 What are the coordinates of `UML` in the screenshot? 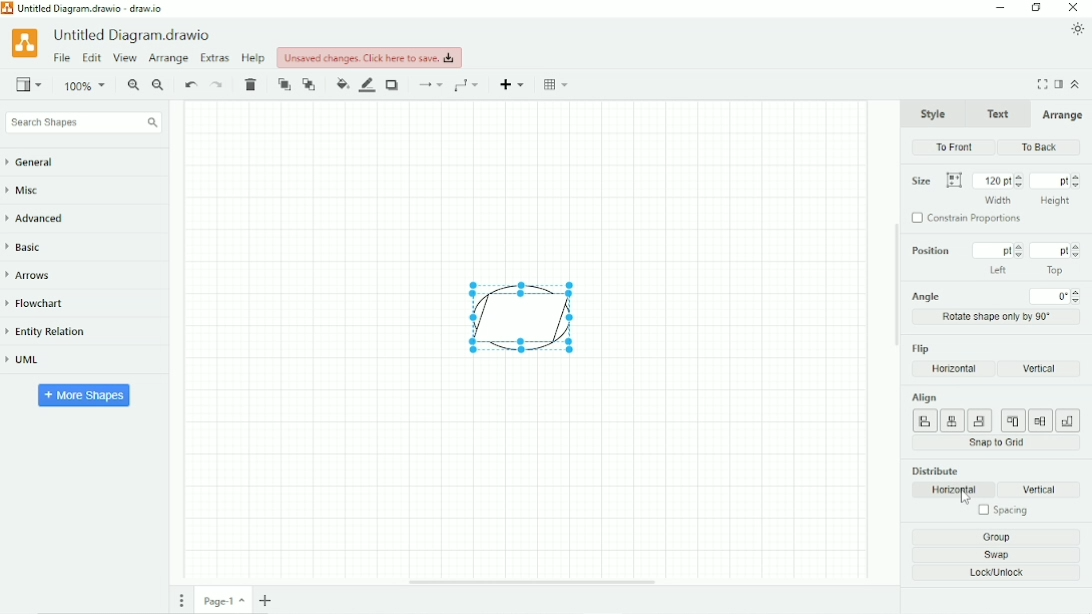 It's located at (31, 361).